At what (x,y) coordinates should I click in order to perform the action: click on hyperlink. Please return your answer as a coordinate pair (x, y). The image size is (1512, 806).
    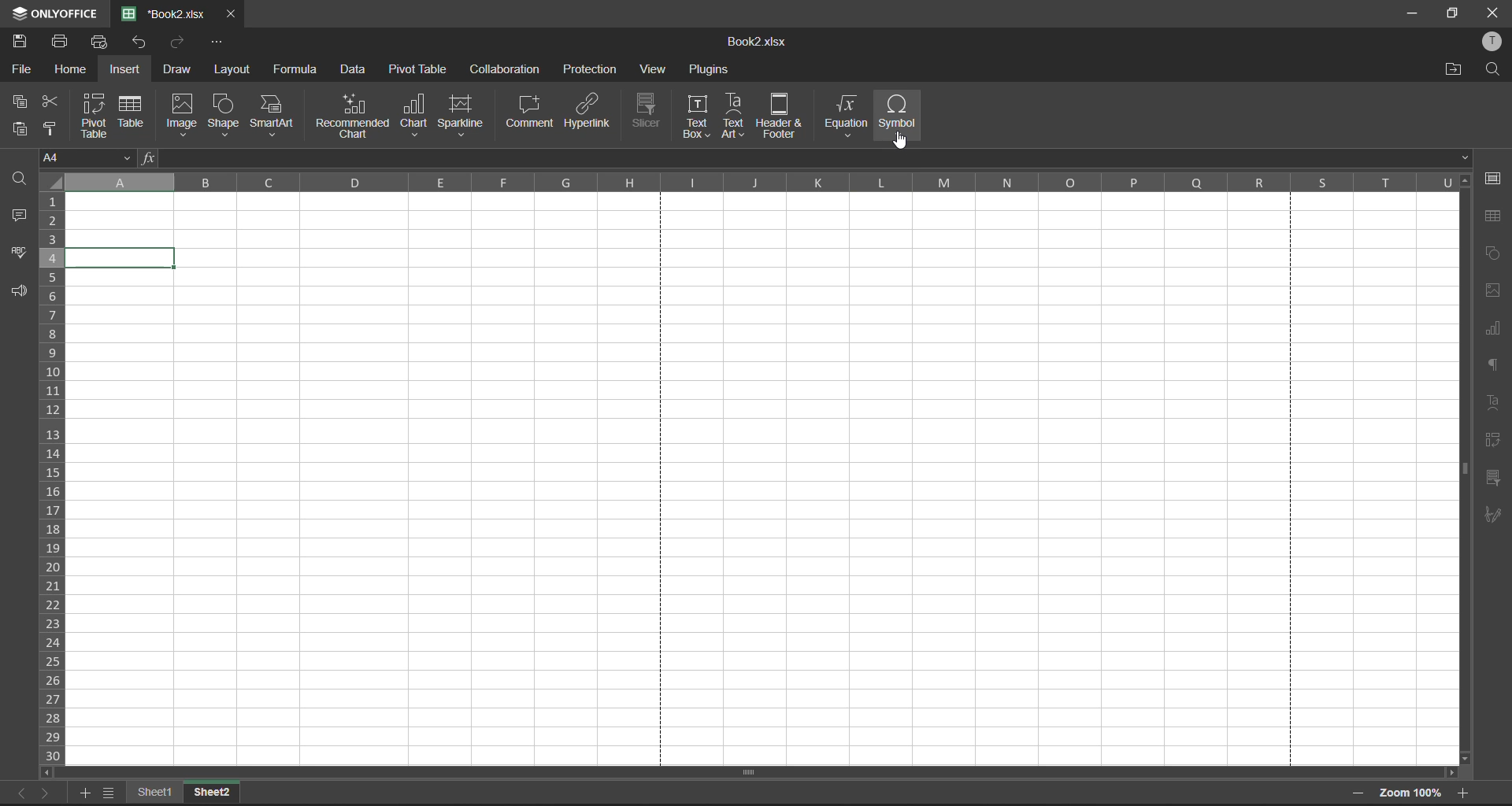
    Looking at the image, I should click on (589, 113).